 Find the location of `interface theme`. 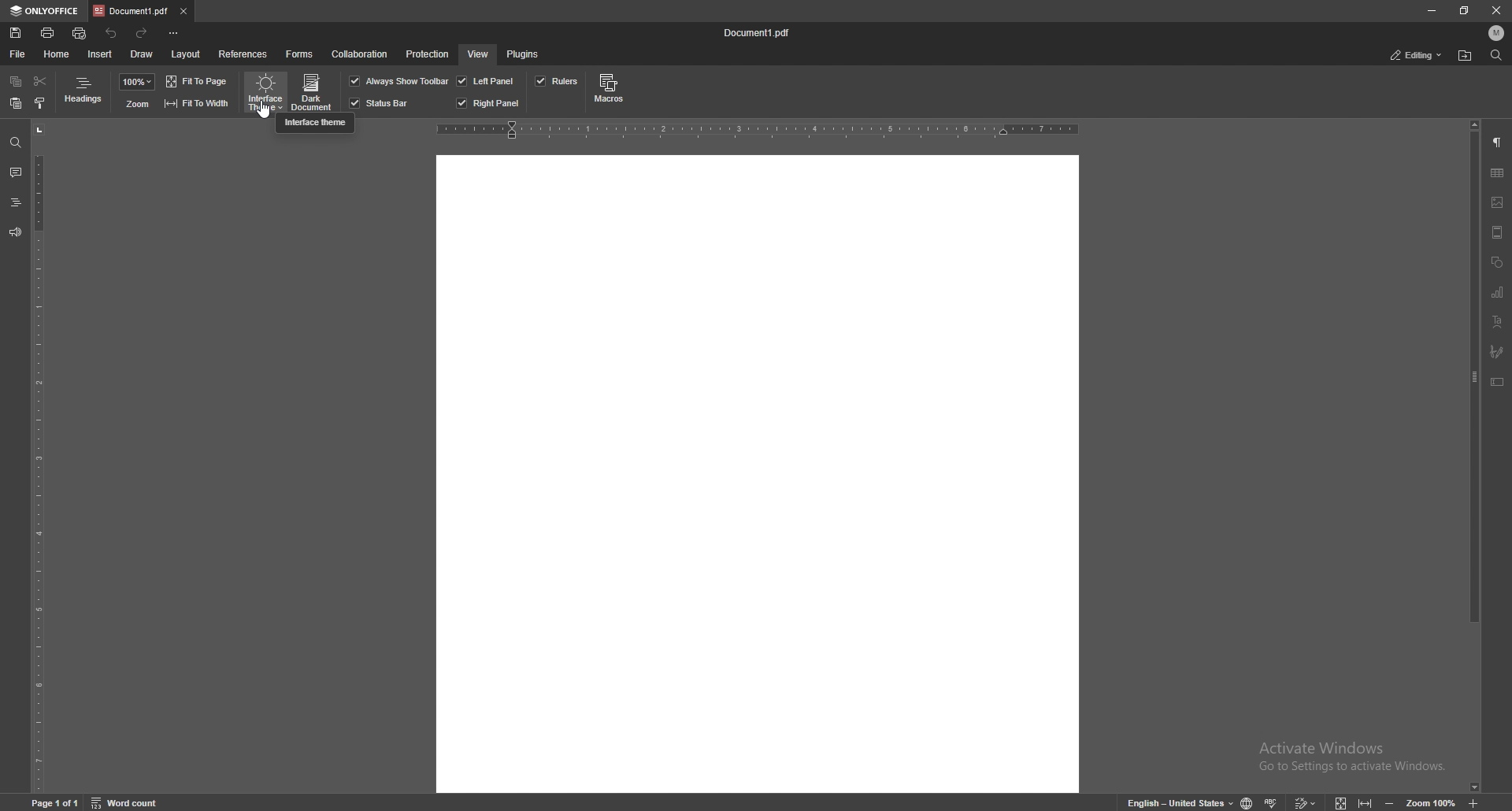

interface theme is located at coordinates (265, 93).